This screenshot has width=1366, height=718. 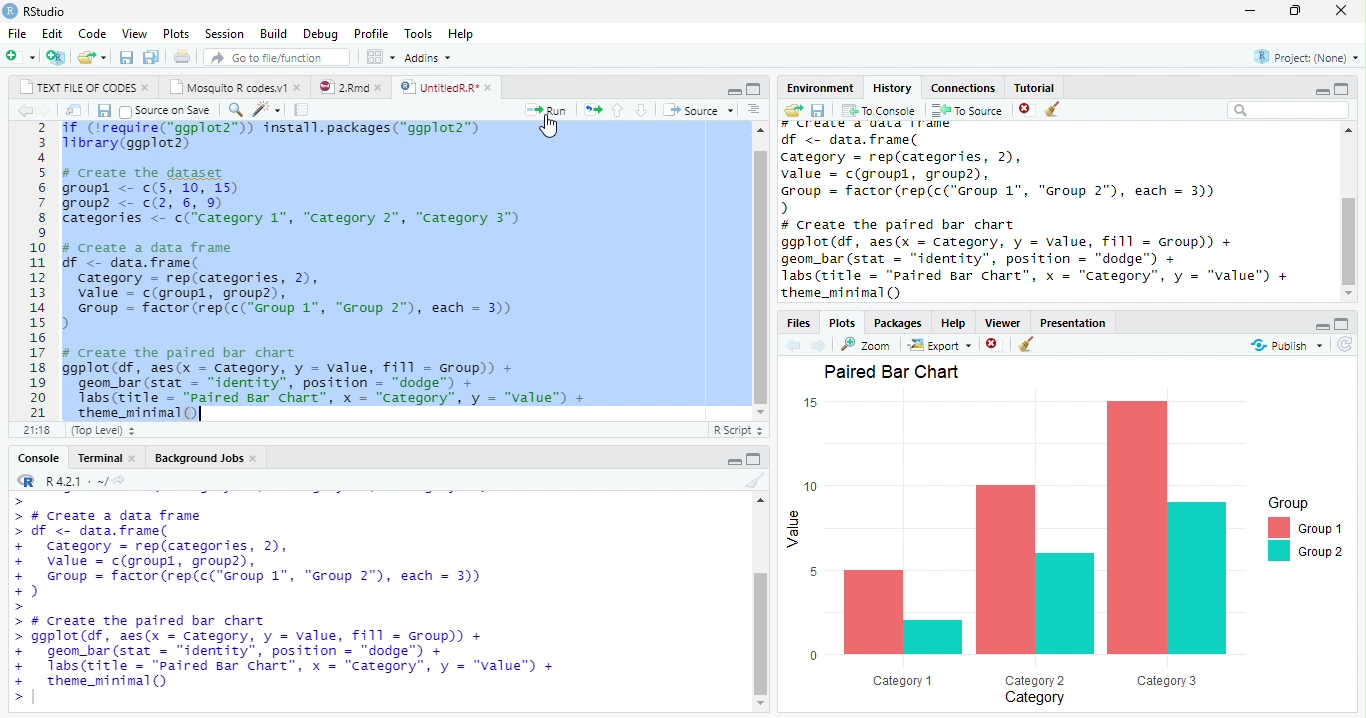 What do you see at coordinates (822, 345) in the screenshot?
I see `next plot` at bounding box center [822, 345].